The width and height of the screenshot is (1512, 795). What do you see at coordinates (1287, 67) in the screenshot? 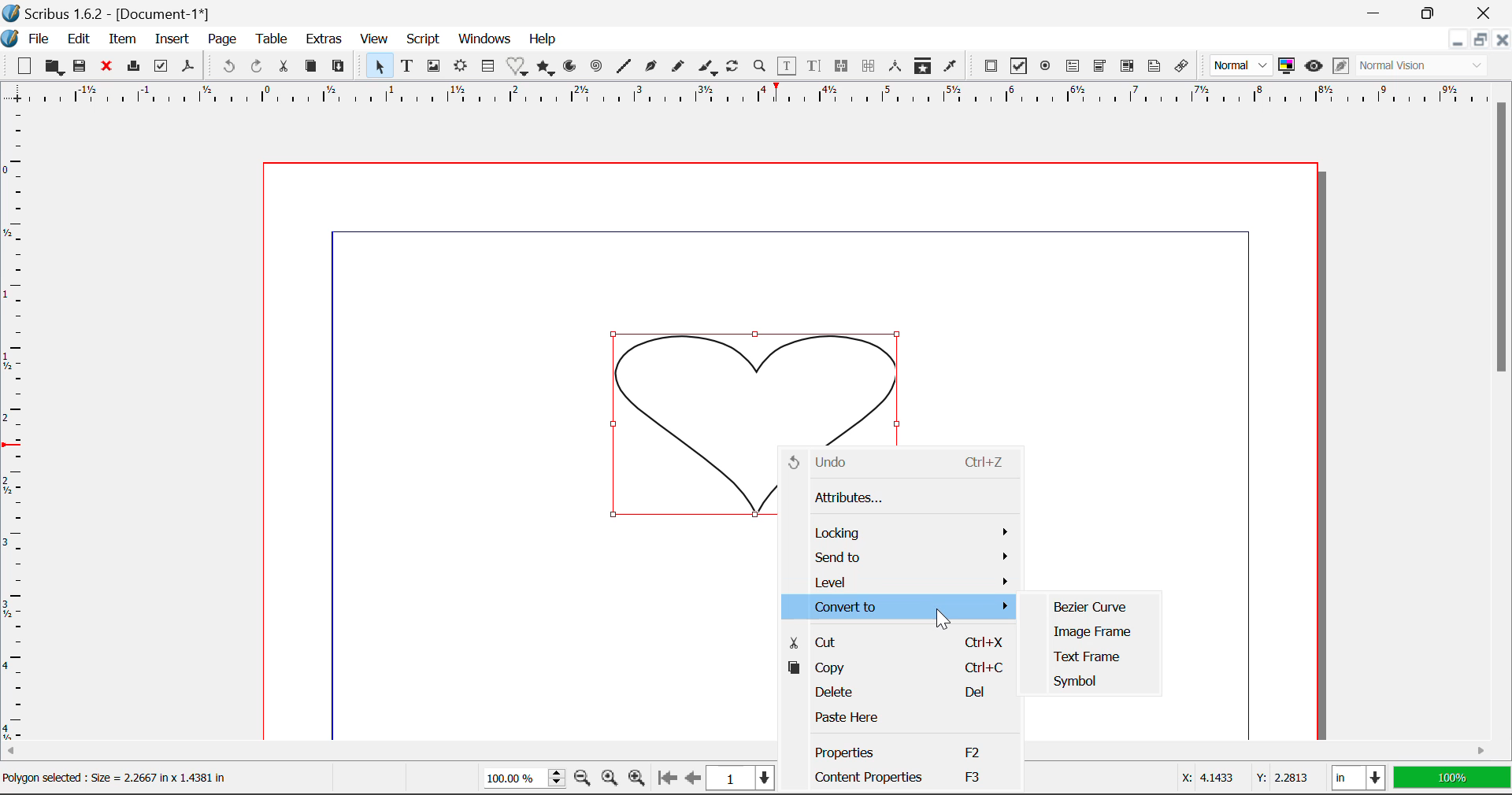
I see `Toggle color management system` at bounding box center [1287, 67].